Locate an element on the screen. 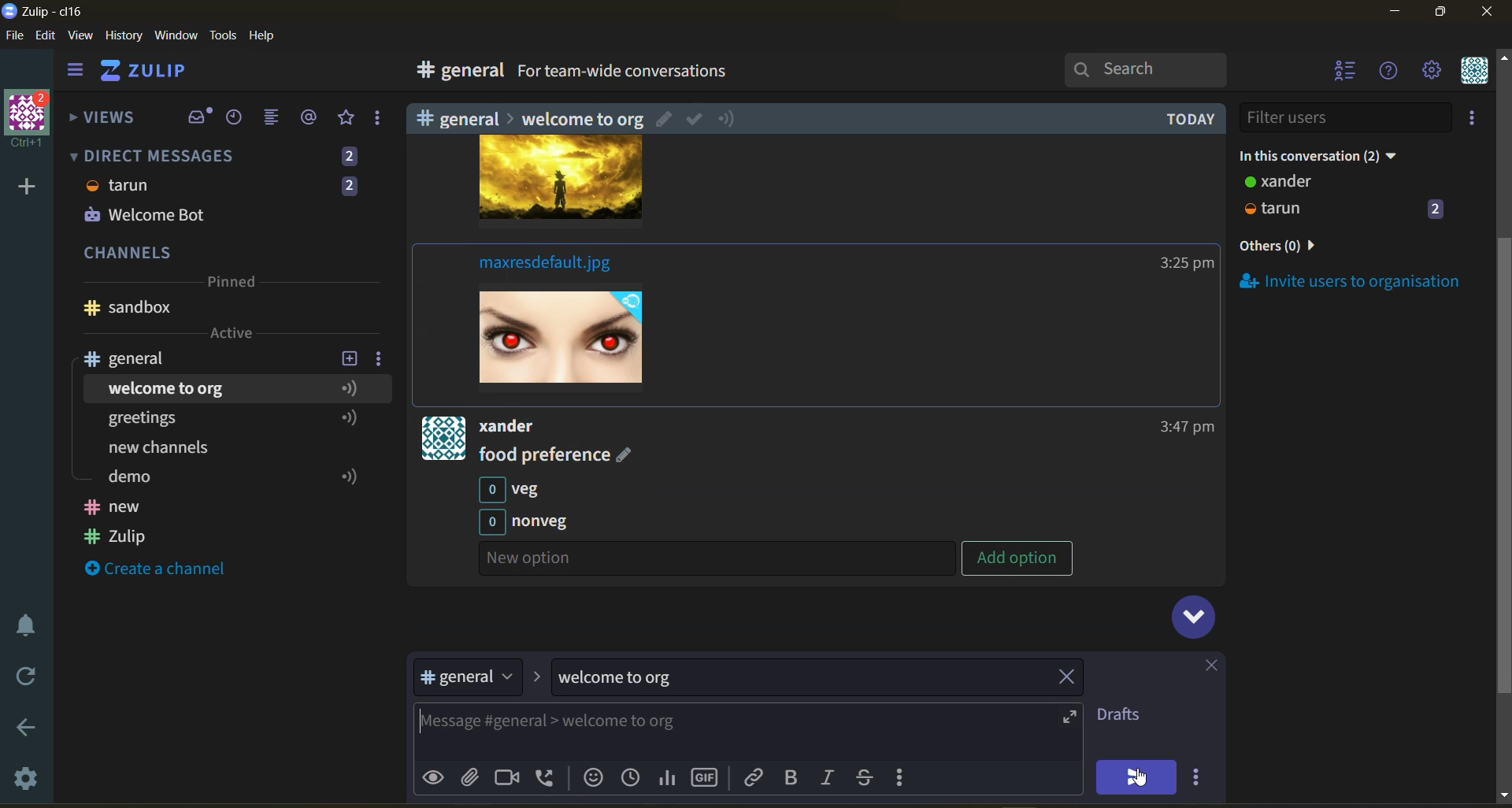  add new topic is located at coordinates (348, 356).